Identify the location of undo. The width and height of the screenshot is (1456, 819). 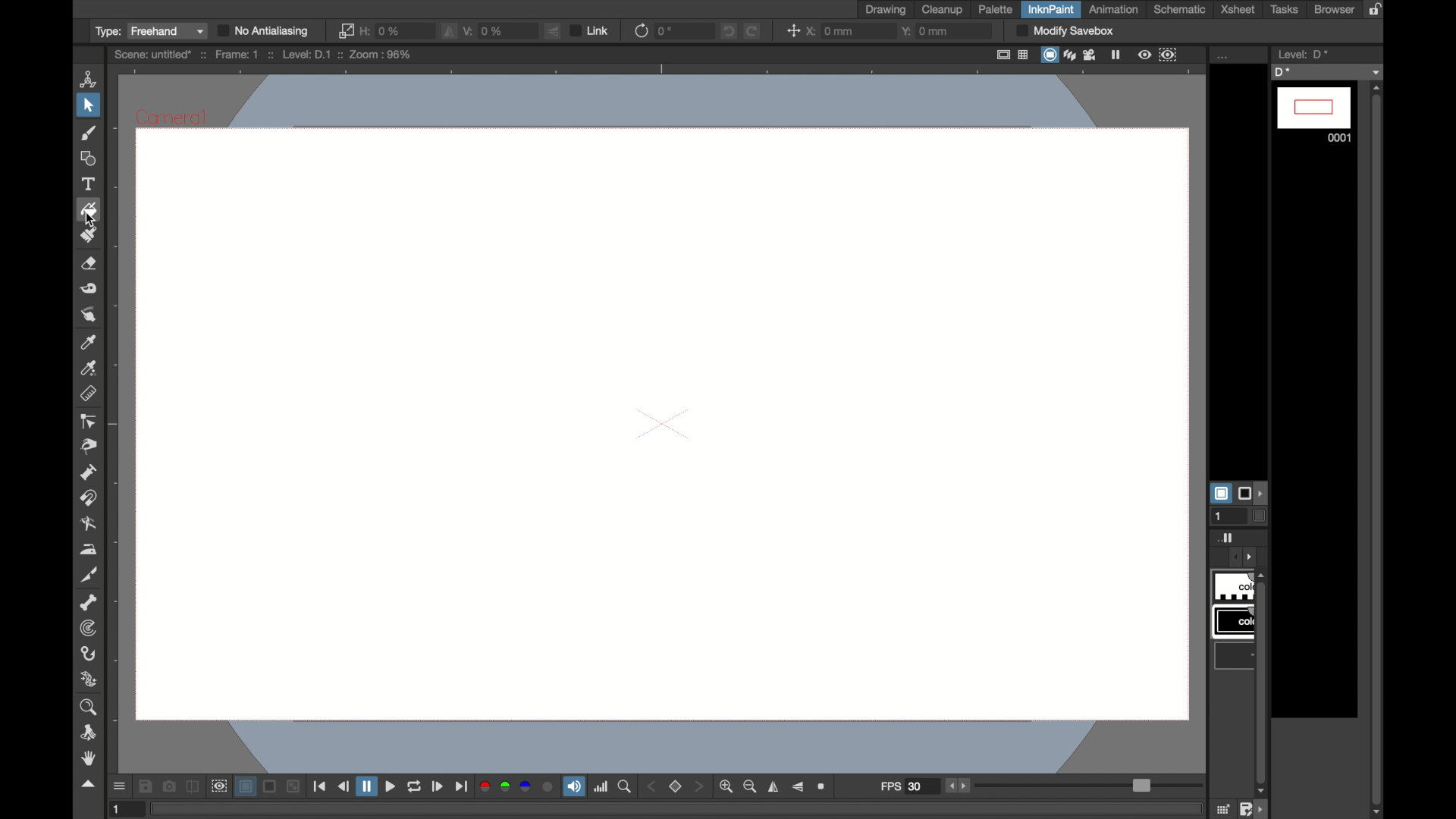
(728, 30).